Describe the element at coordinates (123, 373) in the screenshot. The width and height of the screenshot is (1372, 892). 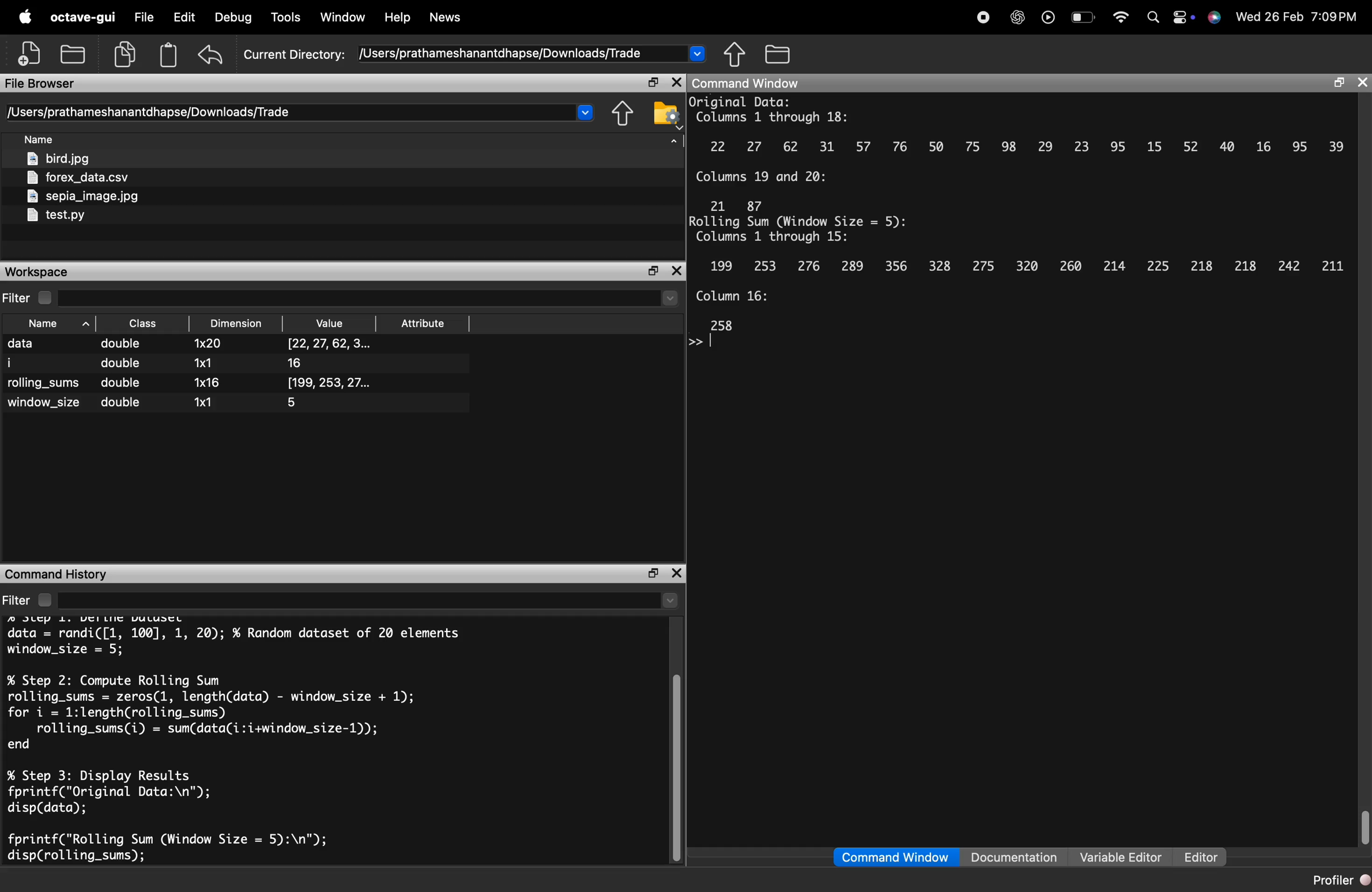
I see `class` at that location.